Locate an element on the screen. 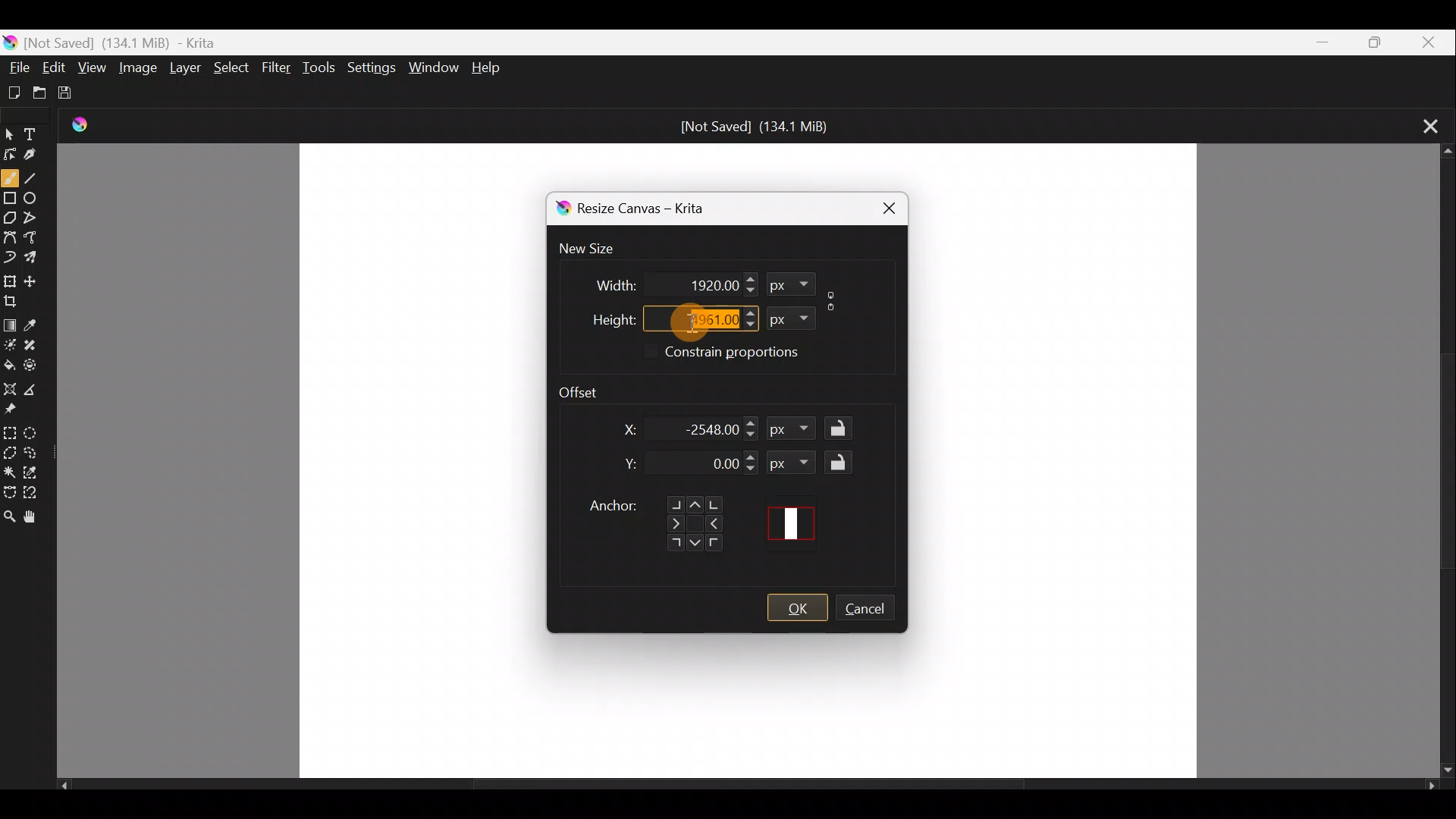 The height and width of the screenshot is (819, 1456). Settings is located at coordinates (369, 67).